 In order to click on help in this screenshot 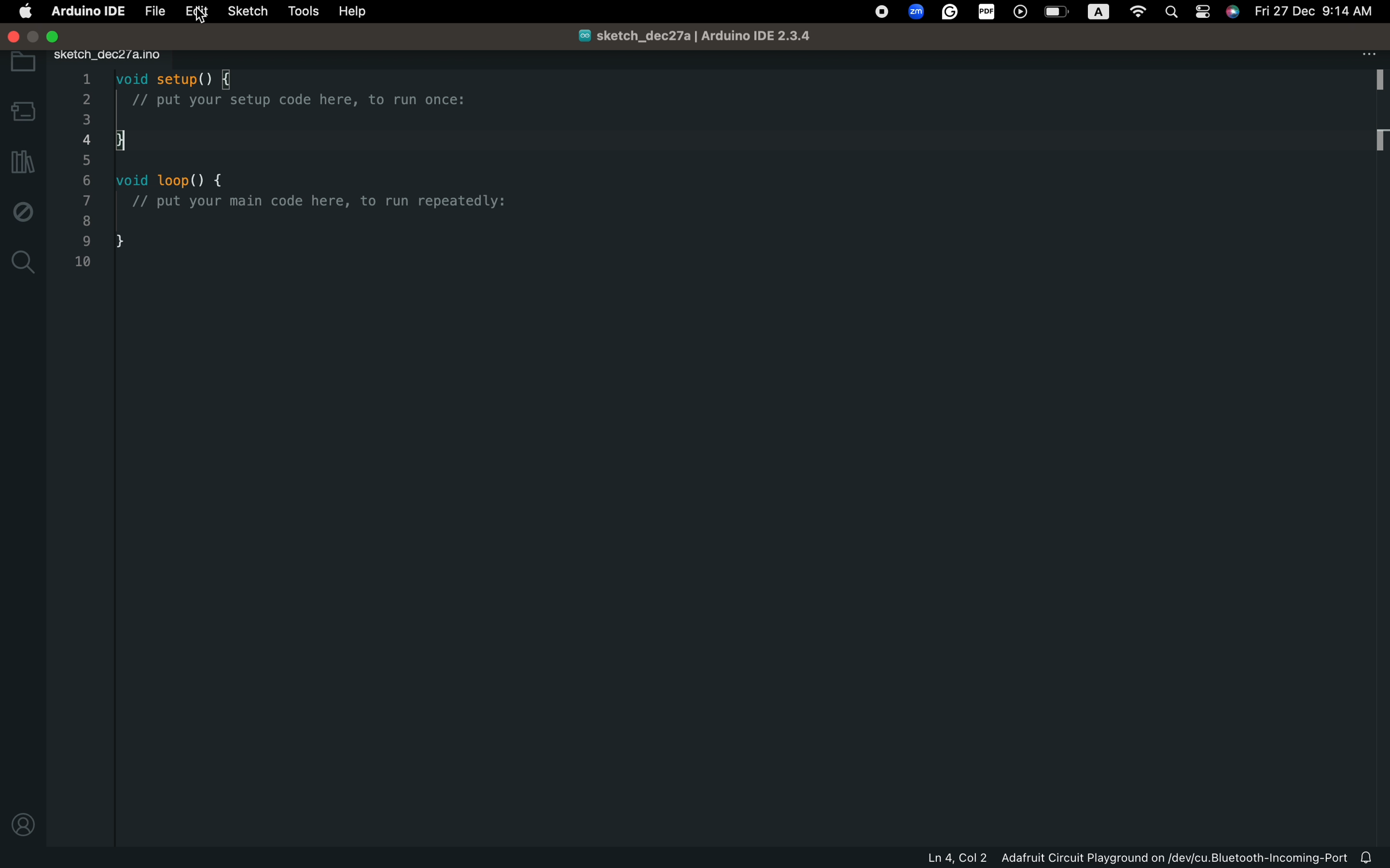, I will do `click(353, 13)`.